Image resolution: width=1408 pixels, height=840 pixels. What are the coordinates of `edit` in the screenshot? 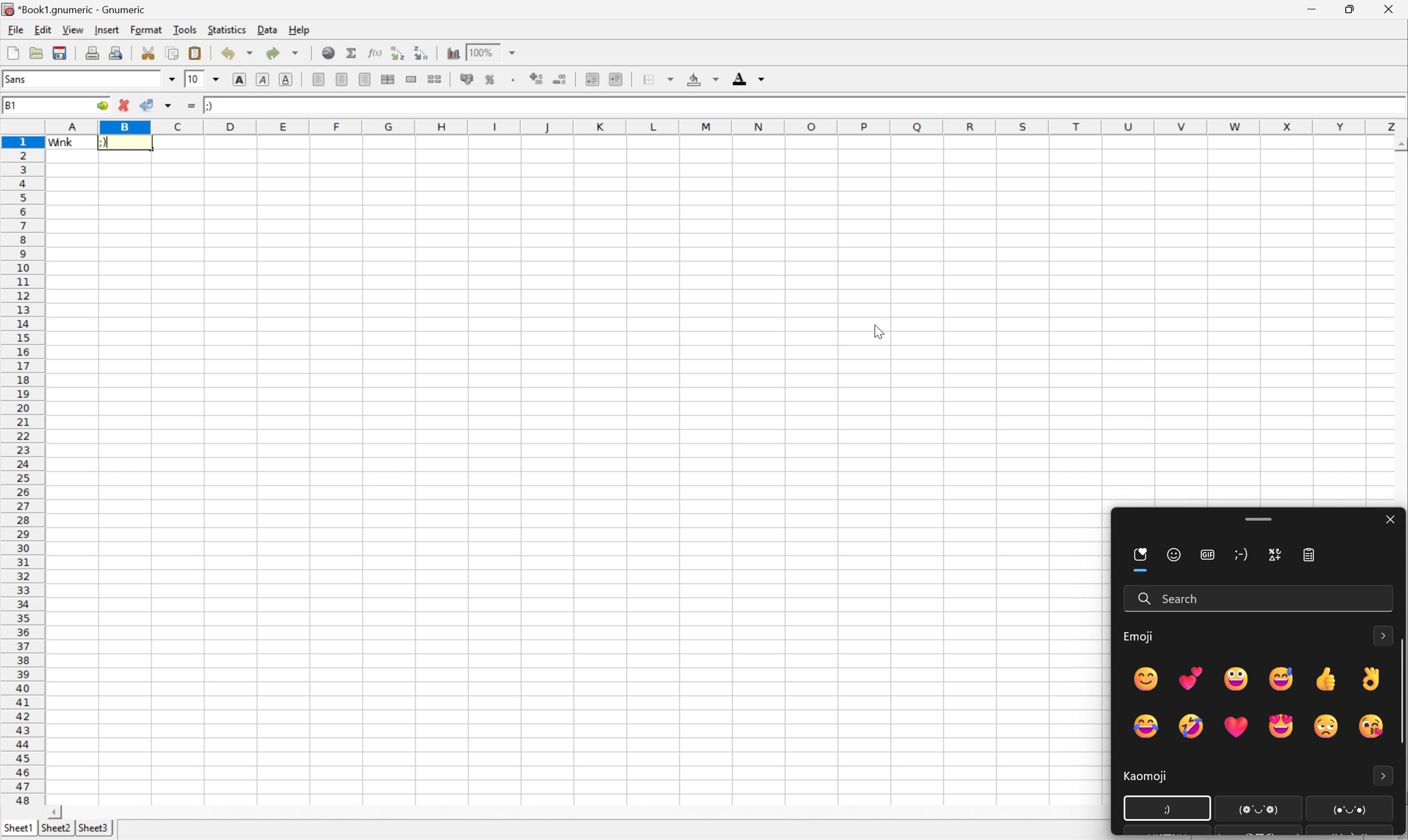 It's located at (41, 31).